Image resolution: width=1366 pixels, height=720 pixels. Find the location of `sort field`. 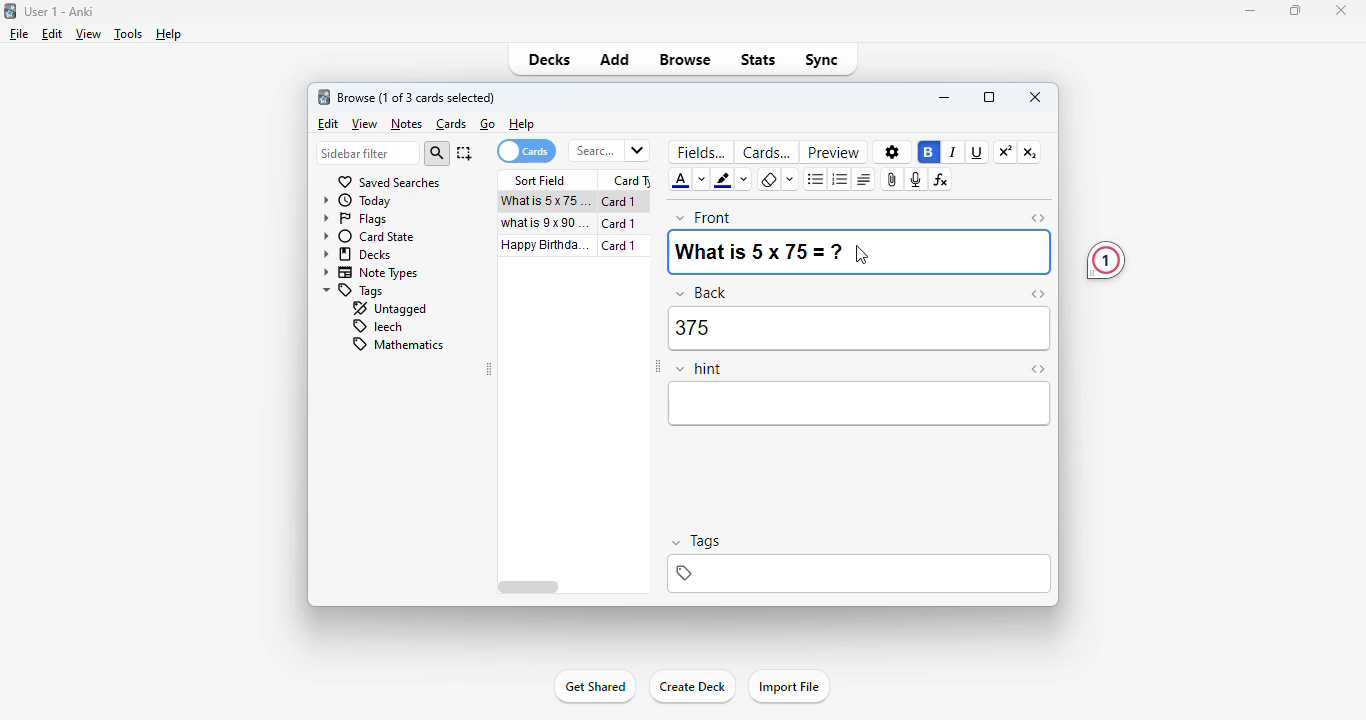

sort field is located at coordinates (541, 181).